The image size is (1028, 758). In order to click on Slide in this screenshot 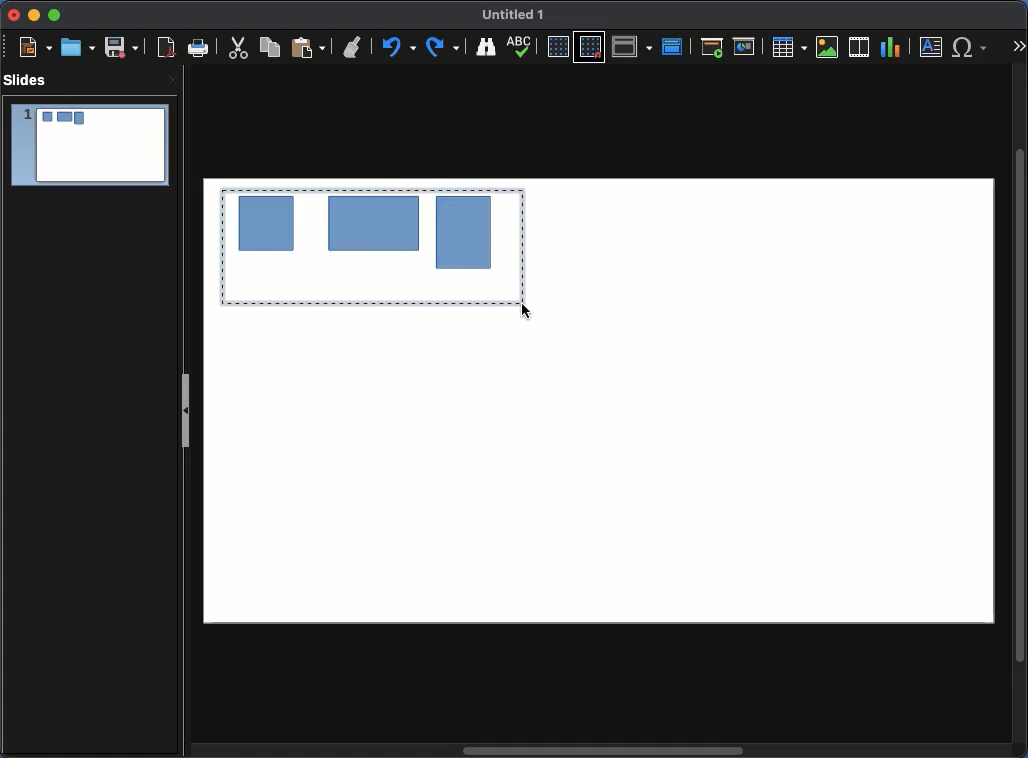, I will do `click(89, 146)`.